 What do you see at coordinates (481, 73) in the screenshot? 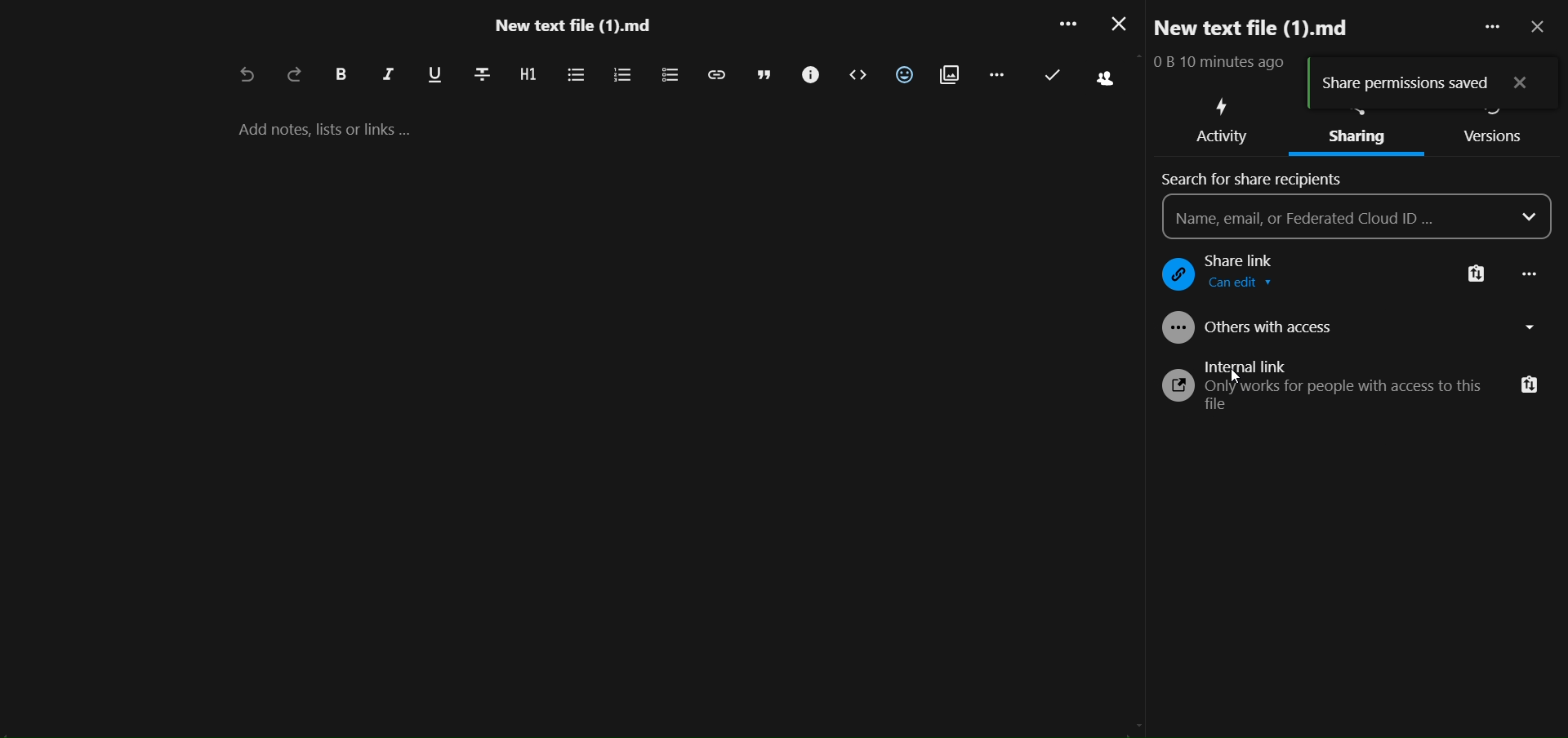
I see `strikethrough` at bounding box center [481, 73].